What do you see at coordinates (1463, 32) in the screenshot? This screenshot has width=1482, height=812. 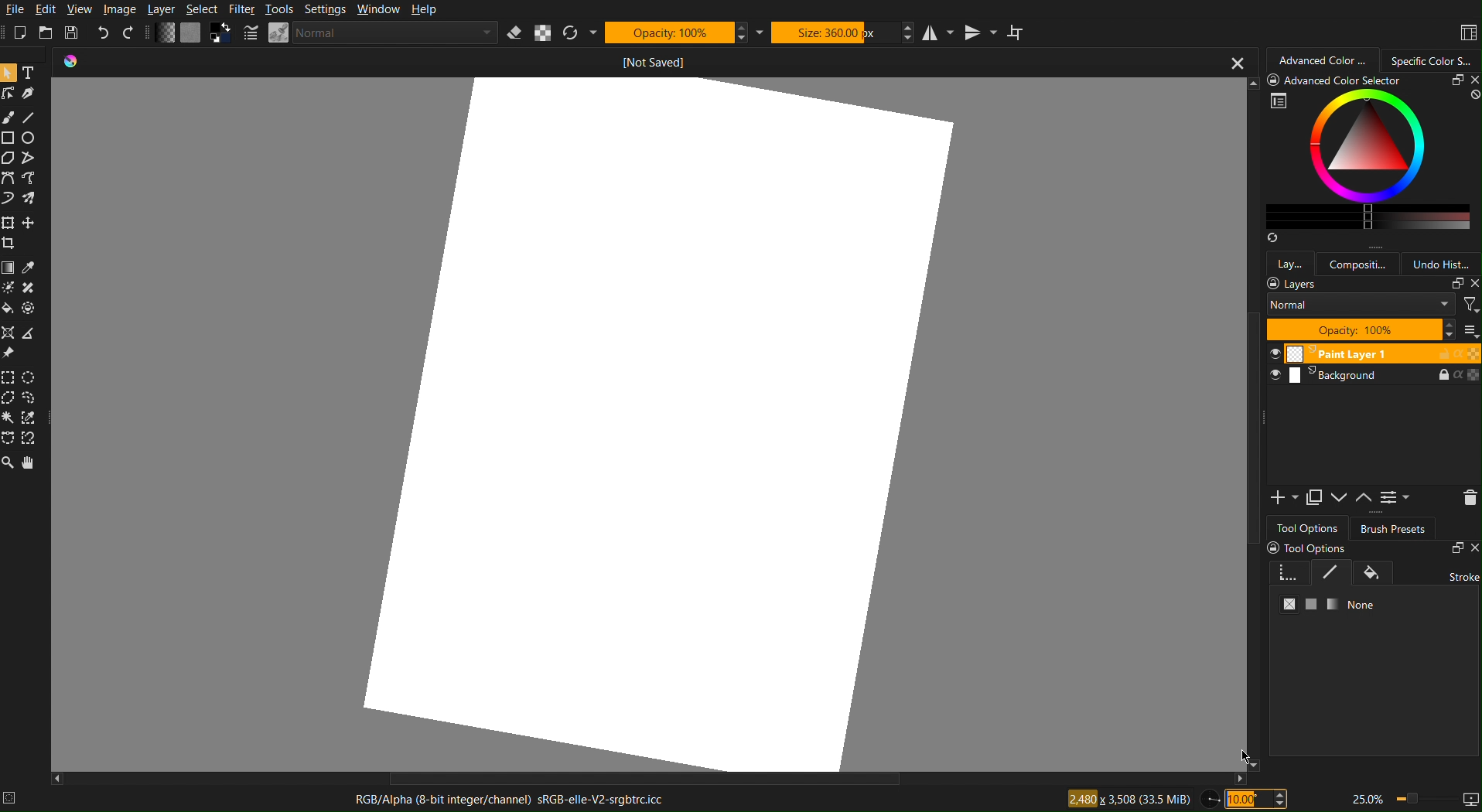 I see `Layout` at bounding box center [1463, 32].